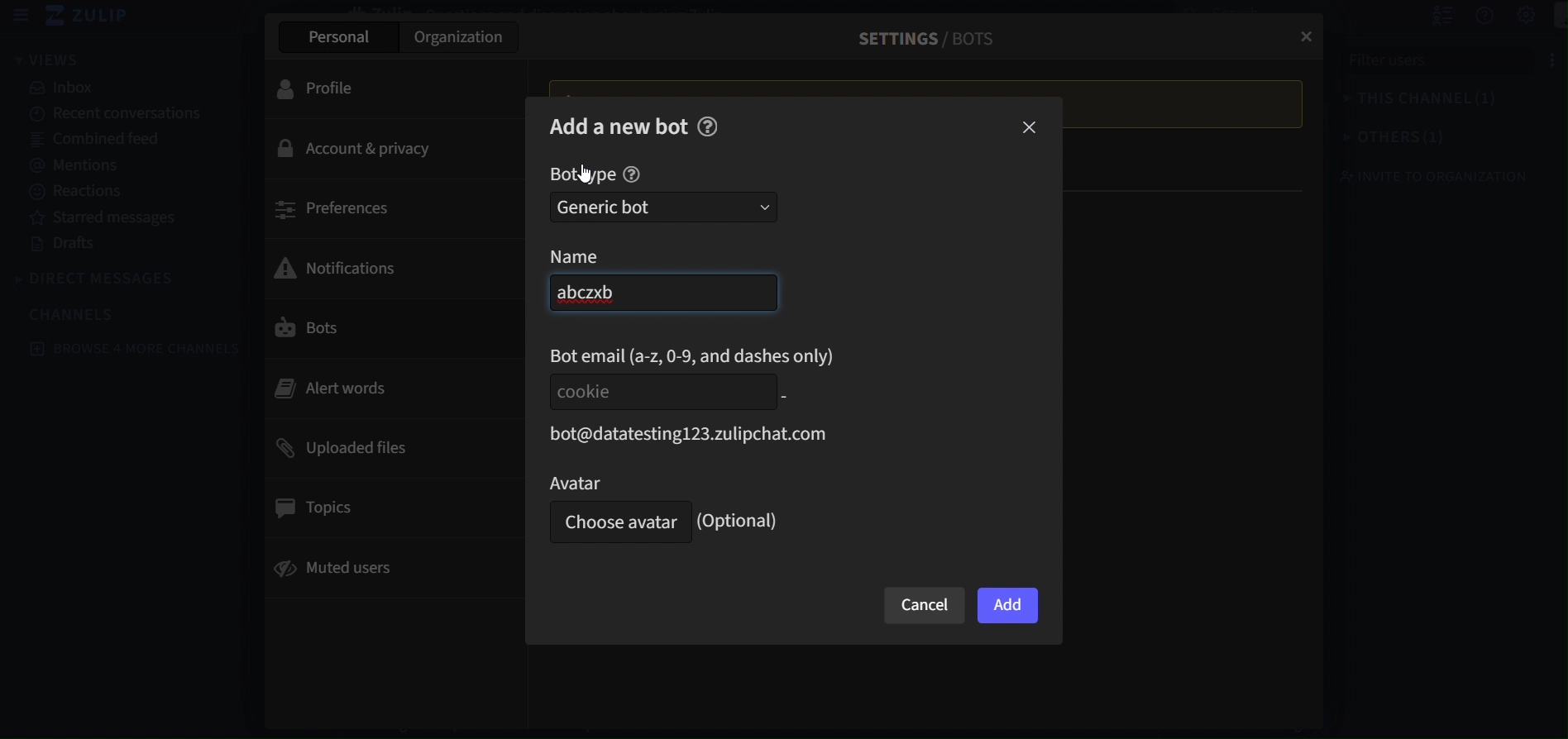  I want to click on alert words, so click(382, 388).